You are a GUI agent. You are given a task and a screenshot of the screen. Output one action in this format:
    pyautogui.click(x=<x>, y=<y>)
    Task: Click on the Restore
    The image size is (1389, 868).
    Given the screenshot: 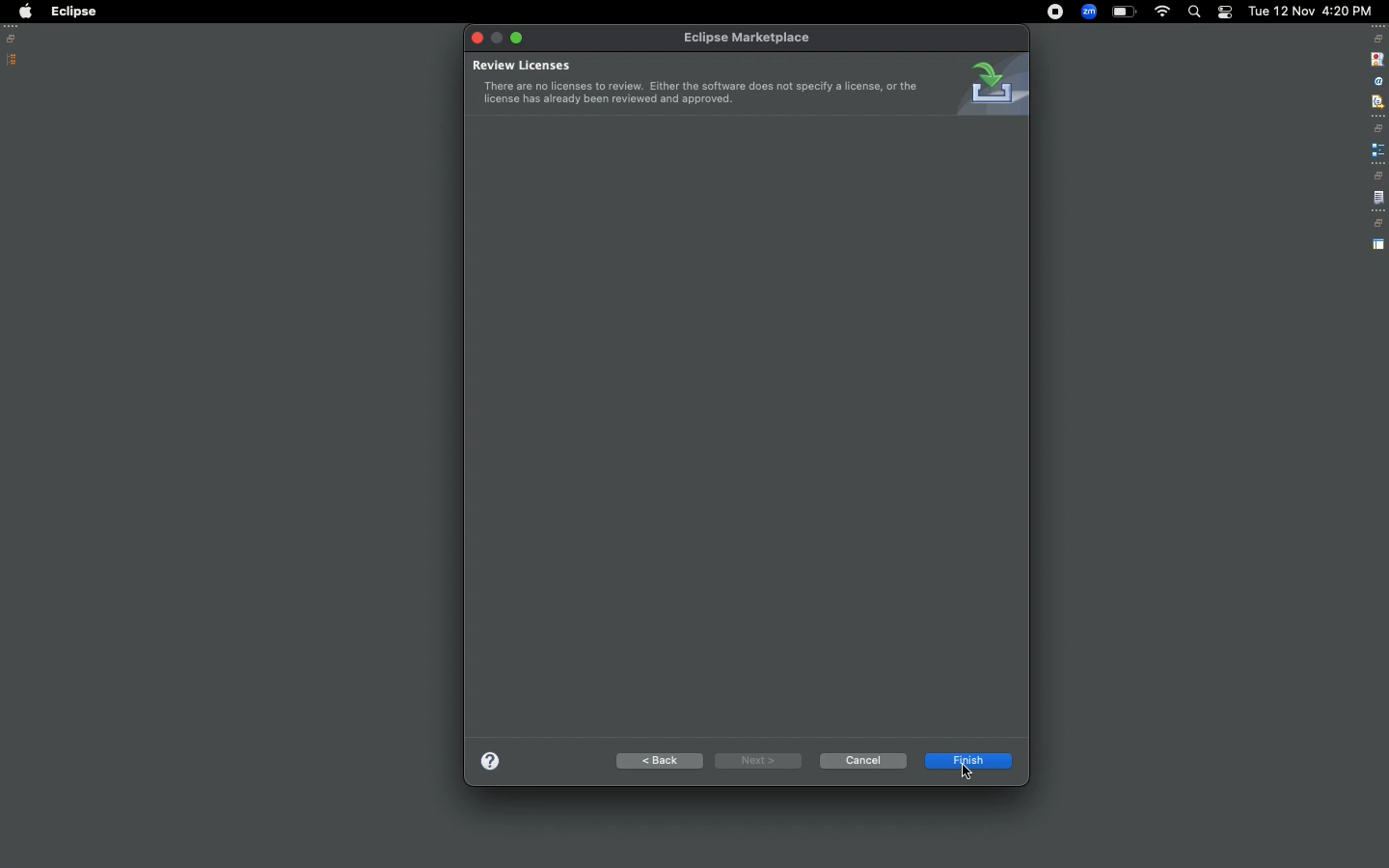 What is the action you would take?
    pyautogui.click(x=14, y=39)
    